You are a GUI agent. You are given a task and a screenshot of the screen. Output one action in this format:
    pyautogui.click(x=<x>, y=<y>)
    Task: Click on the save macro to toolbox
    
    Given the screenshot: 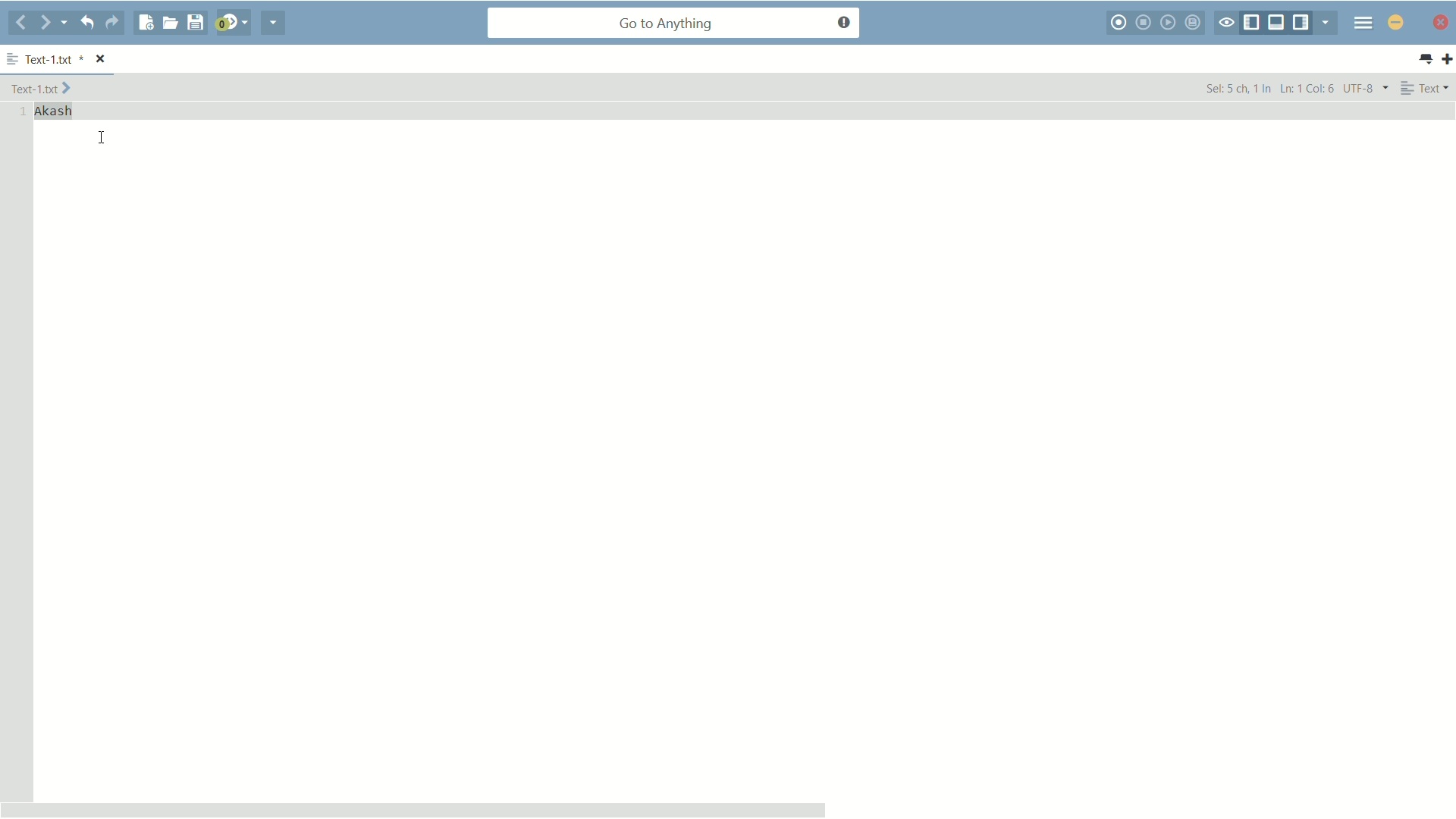 What is the action you would take?
    pyautogui.click(x=1195, y=22)
    